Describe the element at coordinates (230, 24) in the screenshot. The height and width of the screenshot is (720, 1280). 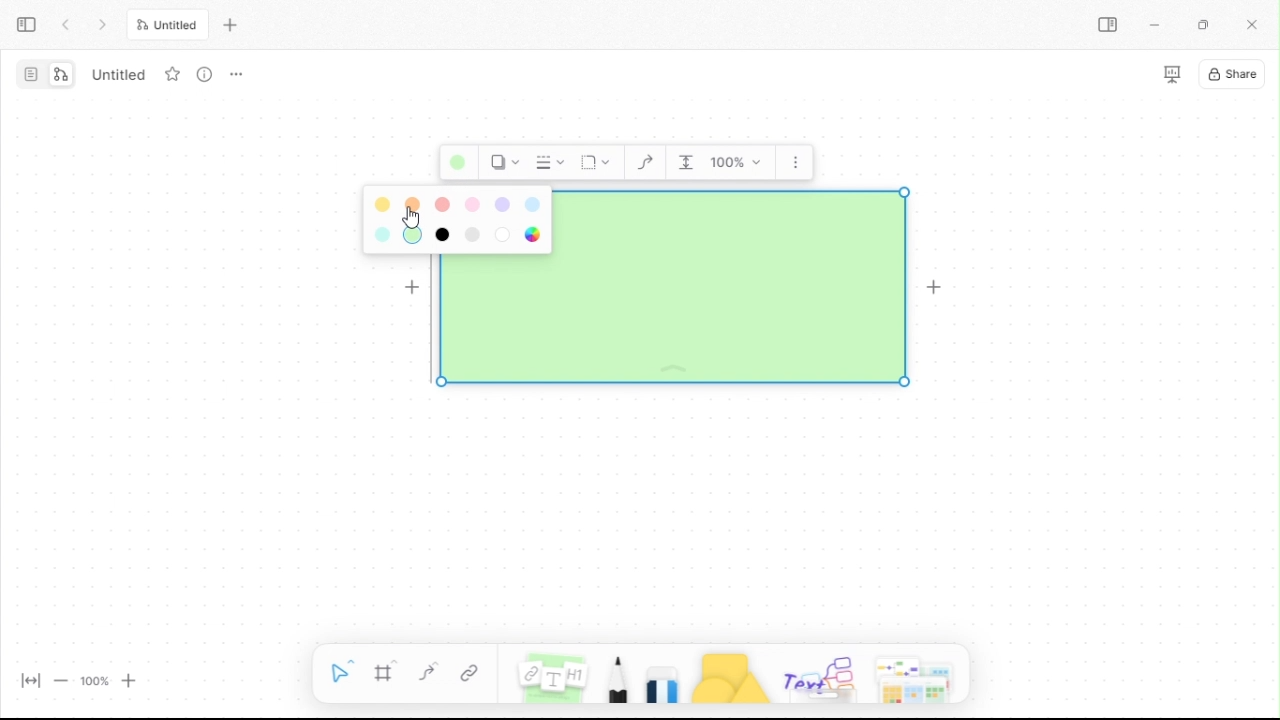
I see `new tab` at that location.